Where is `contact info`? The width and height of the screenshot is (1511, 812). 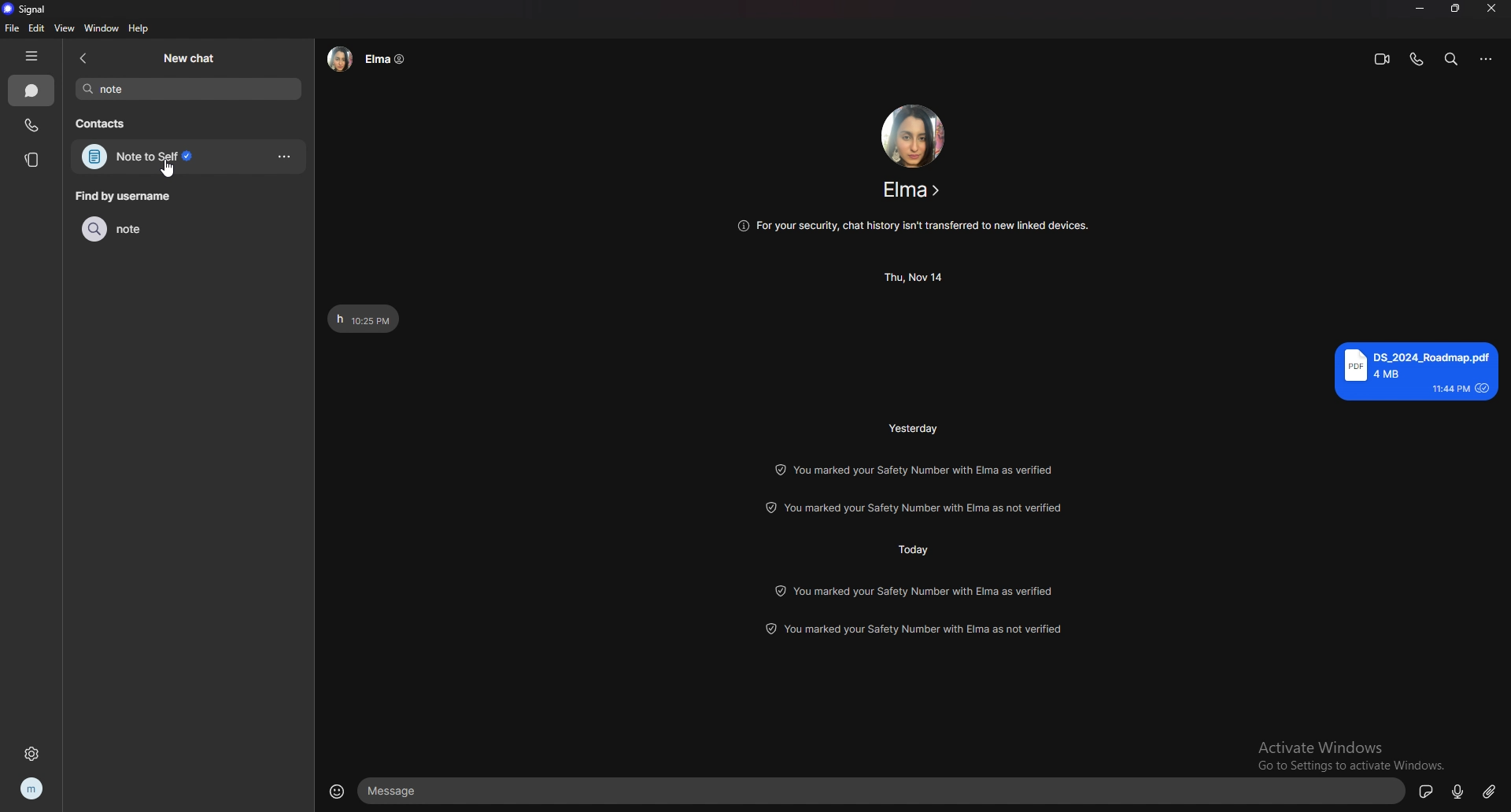
contact info is located at coordinates (367, 59).